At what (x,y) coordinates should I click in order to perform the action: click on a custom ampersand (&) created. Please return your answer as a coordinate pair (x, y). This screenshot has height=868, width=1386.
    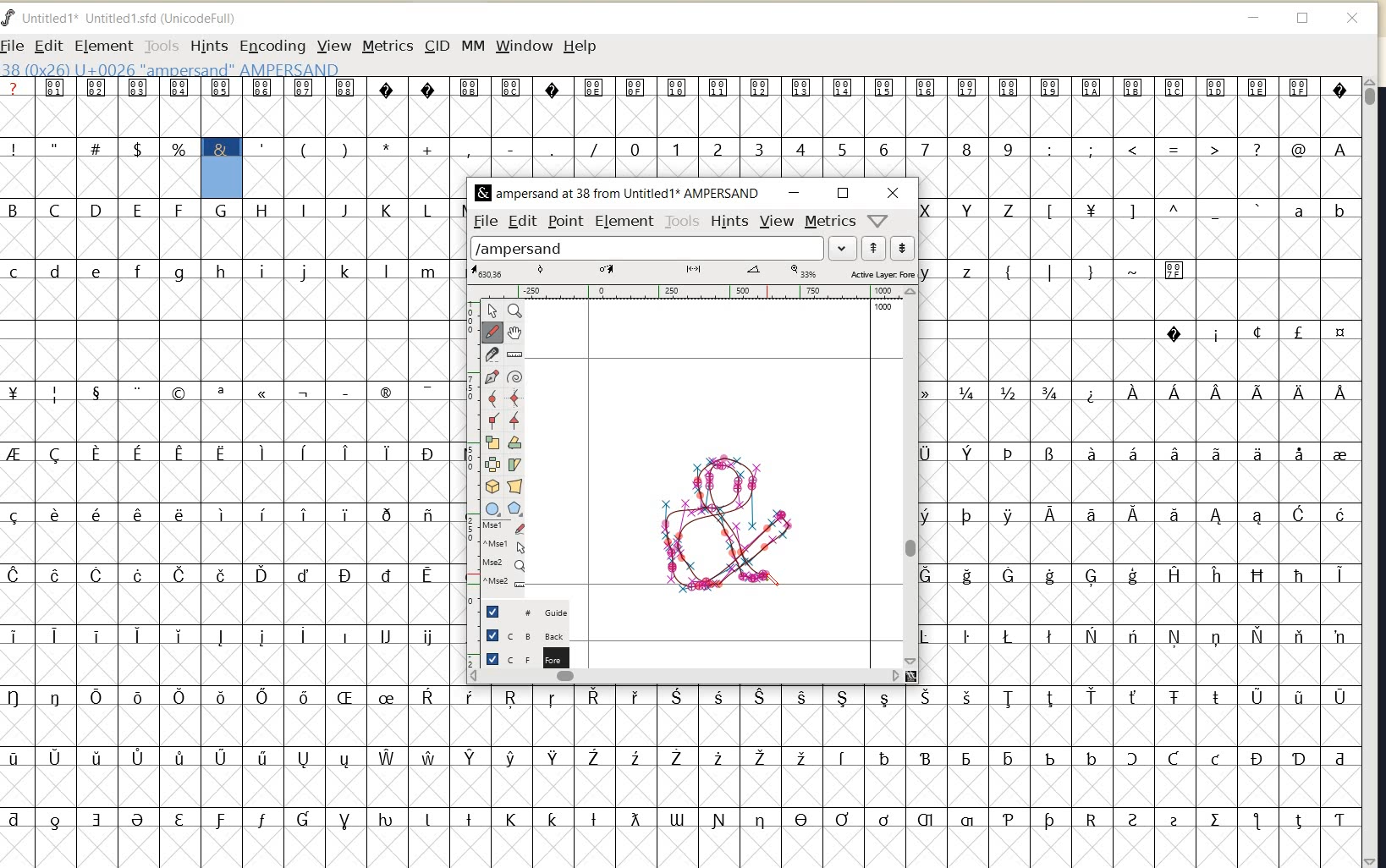
    Looking at the image, I should click on (728, 517).